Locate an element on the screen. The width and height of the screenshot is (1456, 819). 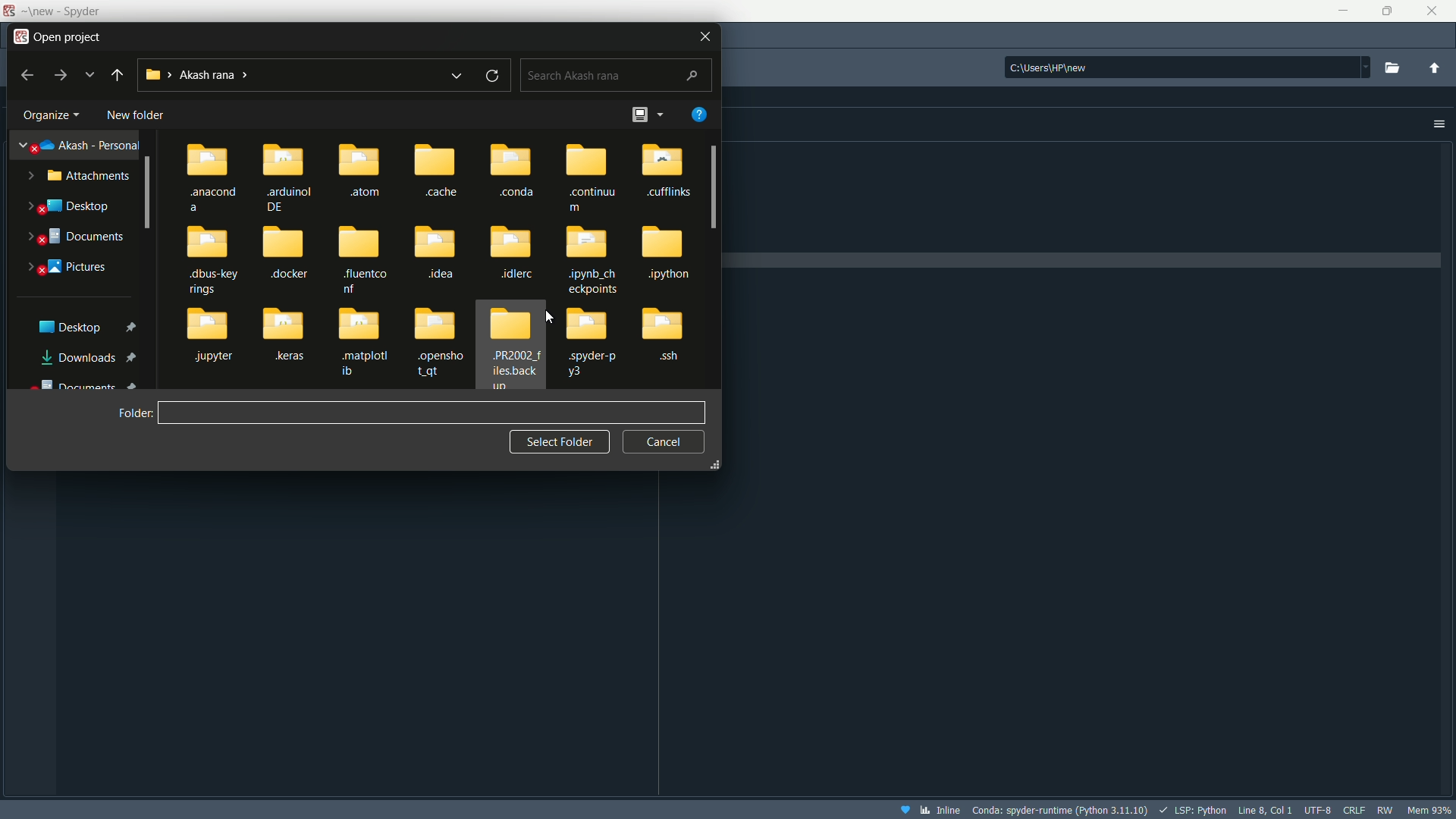
parent directory is located at coordinates (1435, 69).